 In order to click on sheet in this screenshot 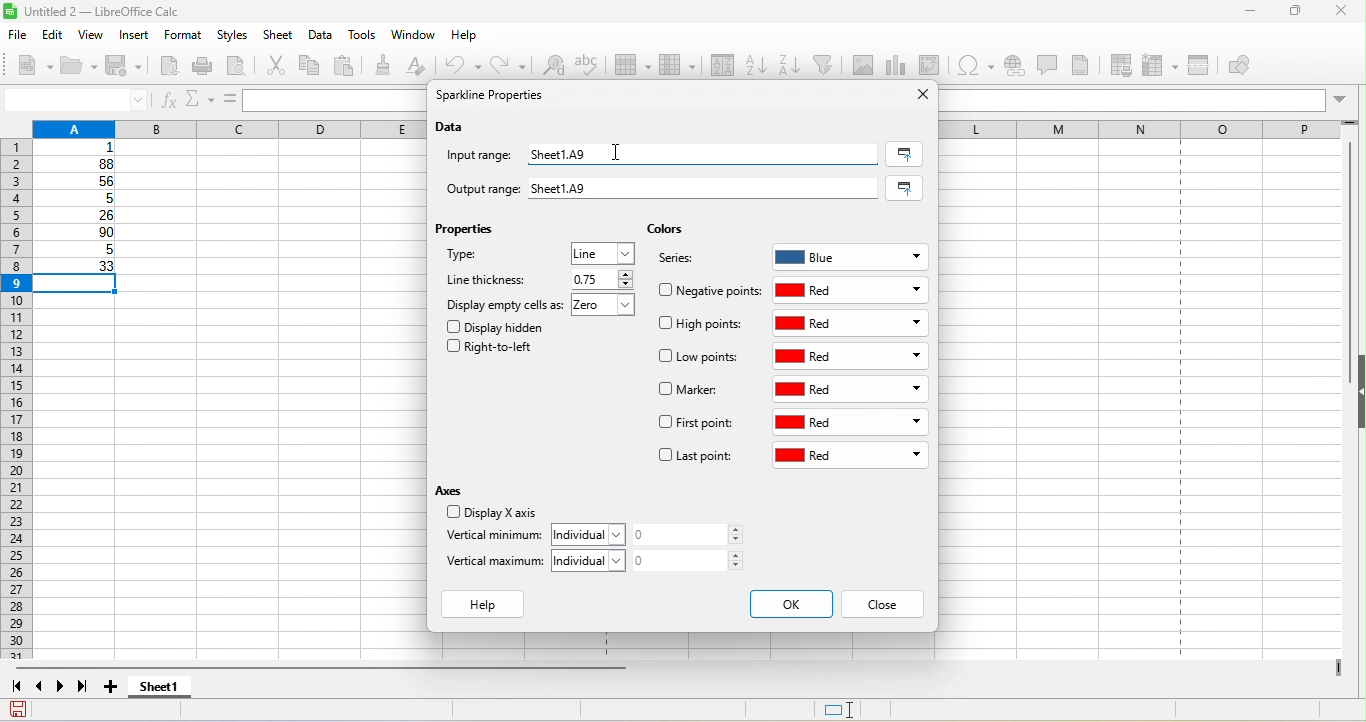, I will do `click(280, 36)`.